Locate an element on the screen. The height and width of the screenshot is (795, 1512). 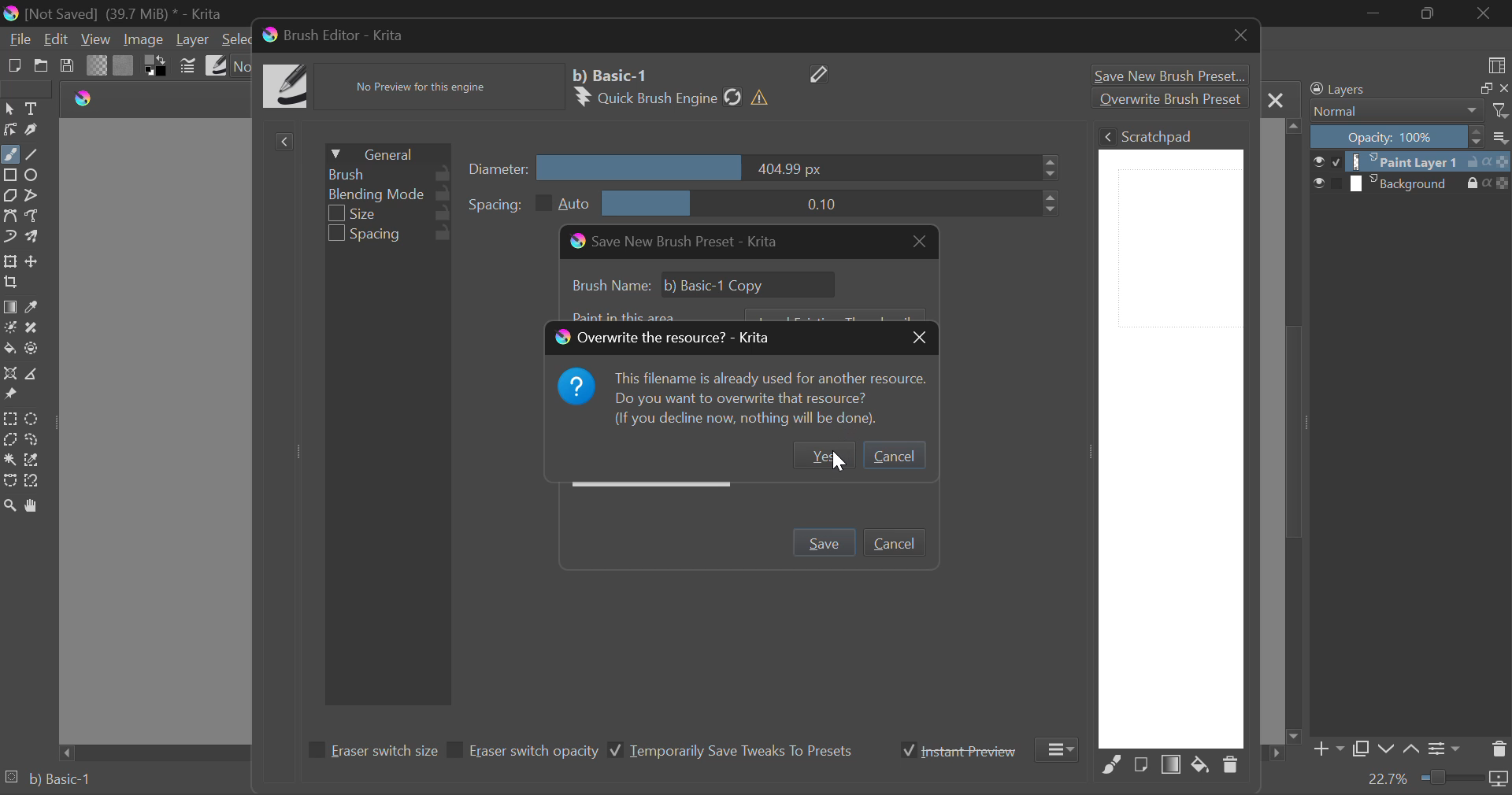
Save is located at coordinates (68, 66).